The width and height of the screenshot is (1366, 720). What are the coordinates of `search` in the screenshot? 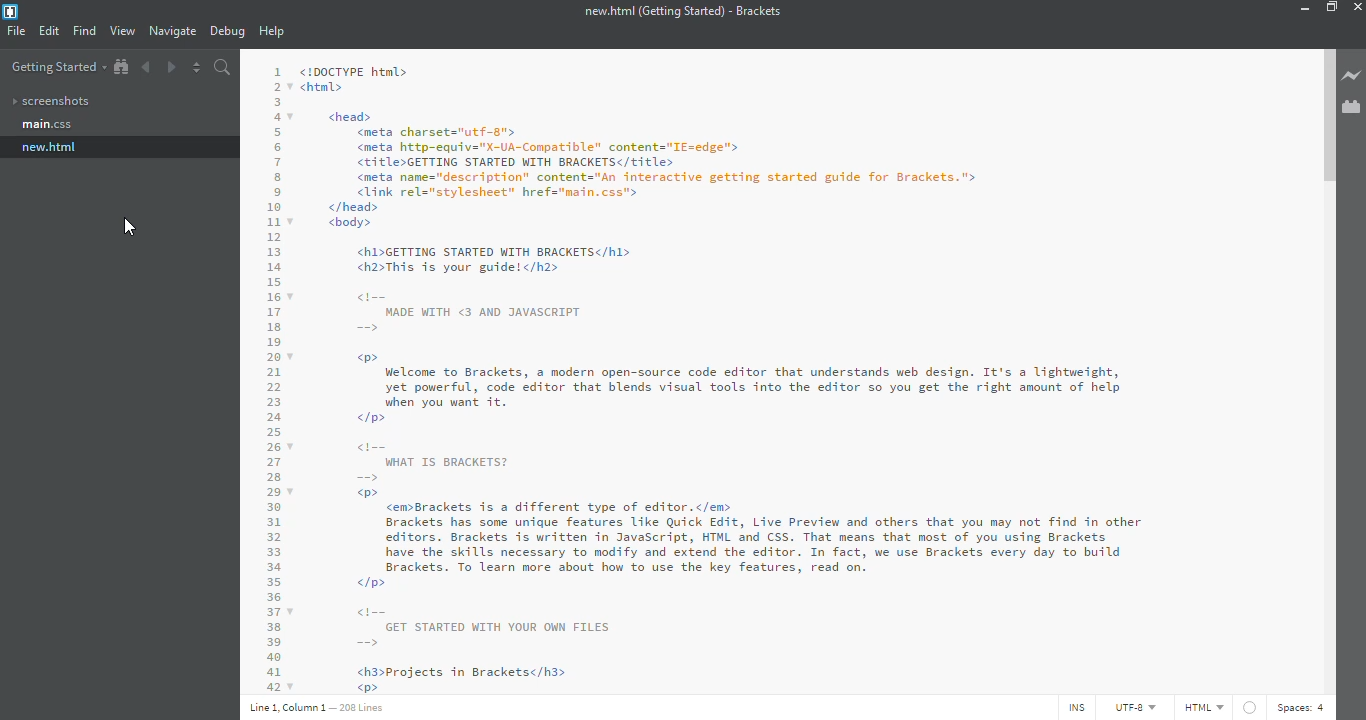 It's located at (223, 67).